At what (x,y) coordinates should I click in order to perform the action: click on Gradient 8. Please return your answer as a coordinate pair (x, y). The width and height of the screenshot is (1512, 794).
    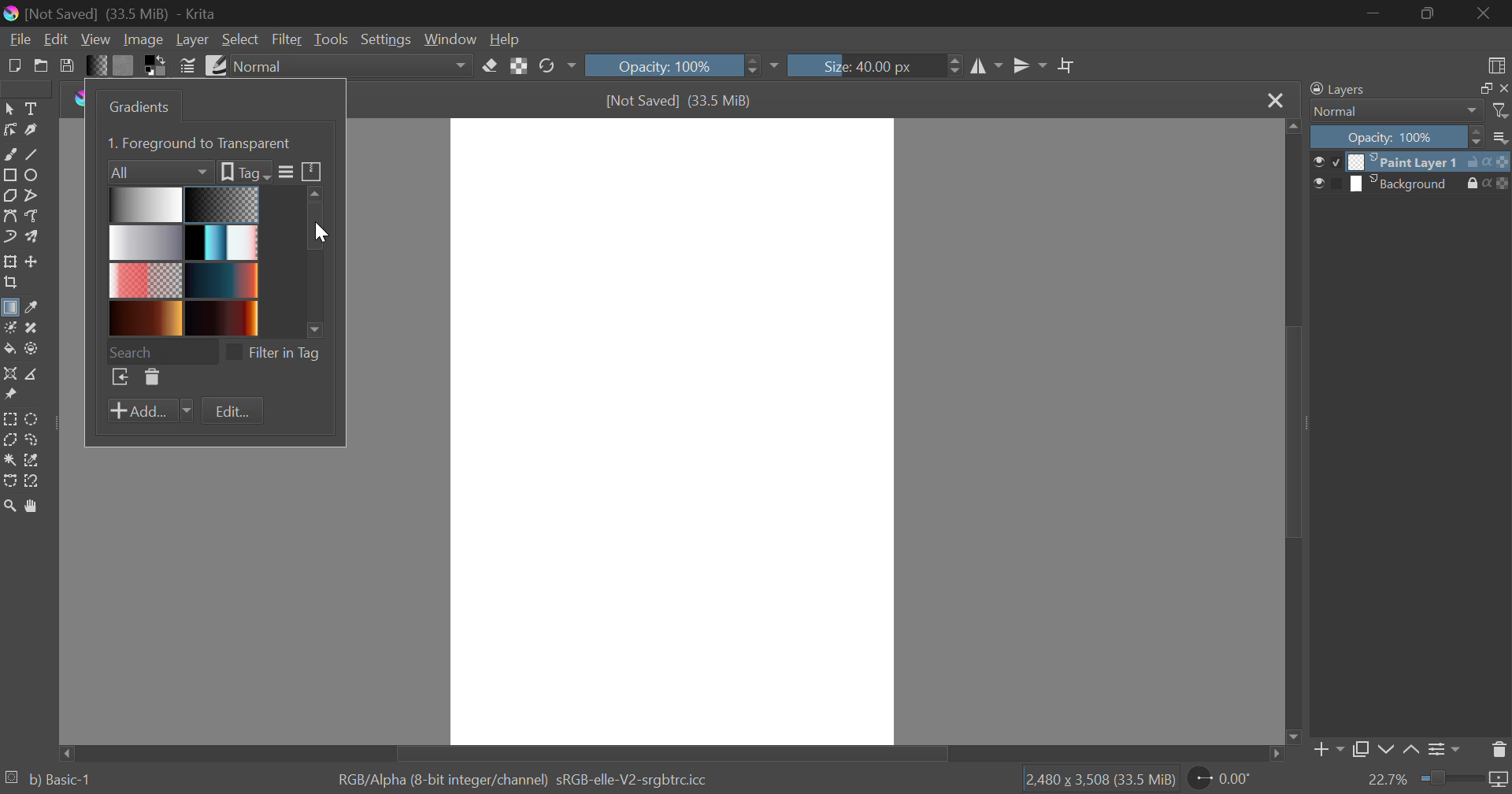
    Looking at the image, I should click on (219, 318).